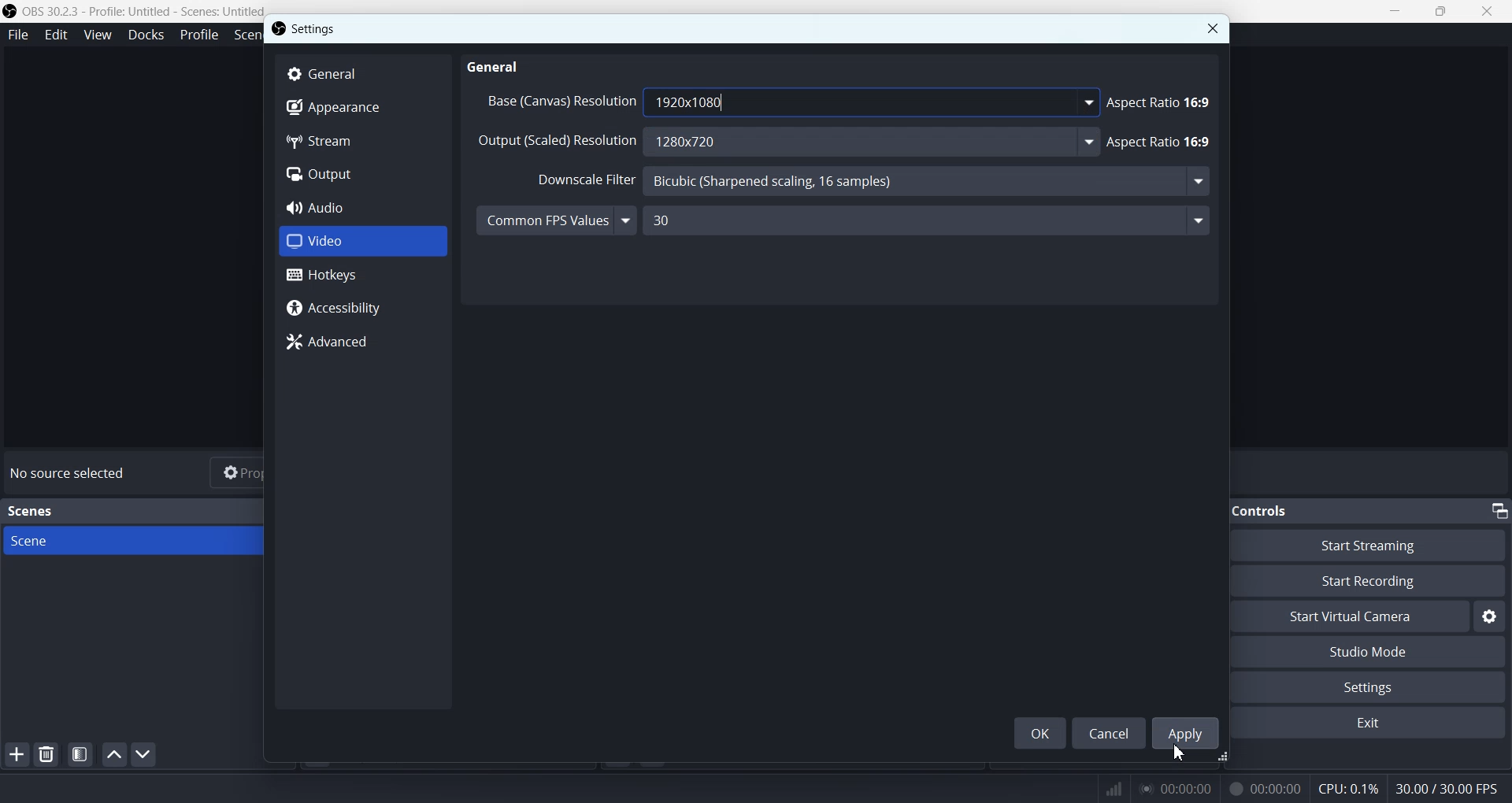  What do you see at coordinates (1184, 732) in the screenshot?
I see `Apply` at bounding box center [1184, 732].